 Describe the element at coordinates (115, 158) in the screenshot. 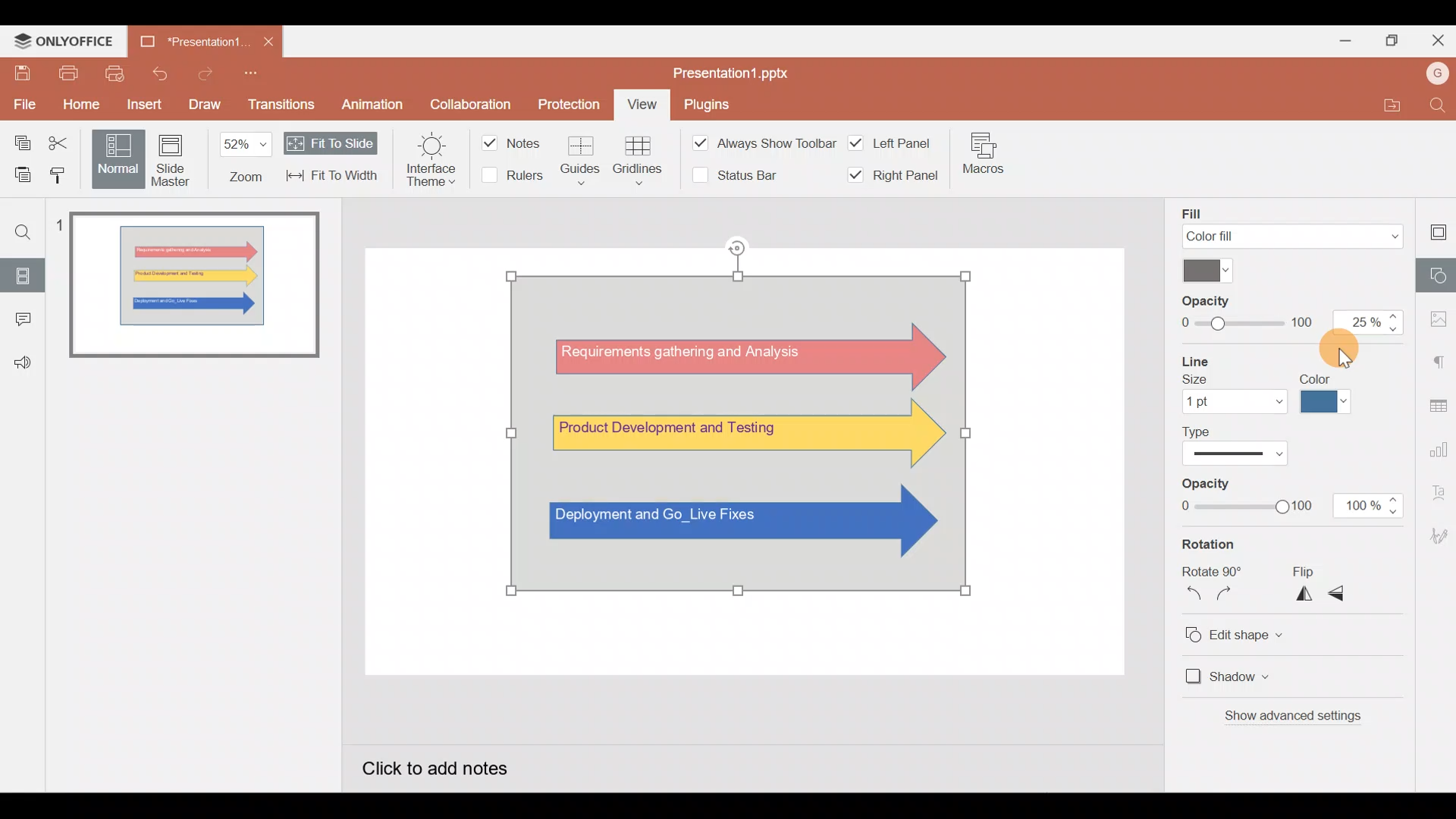

I see `Normal` at that location.